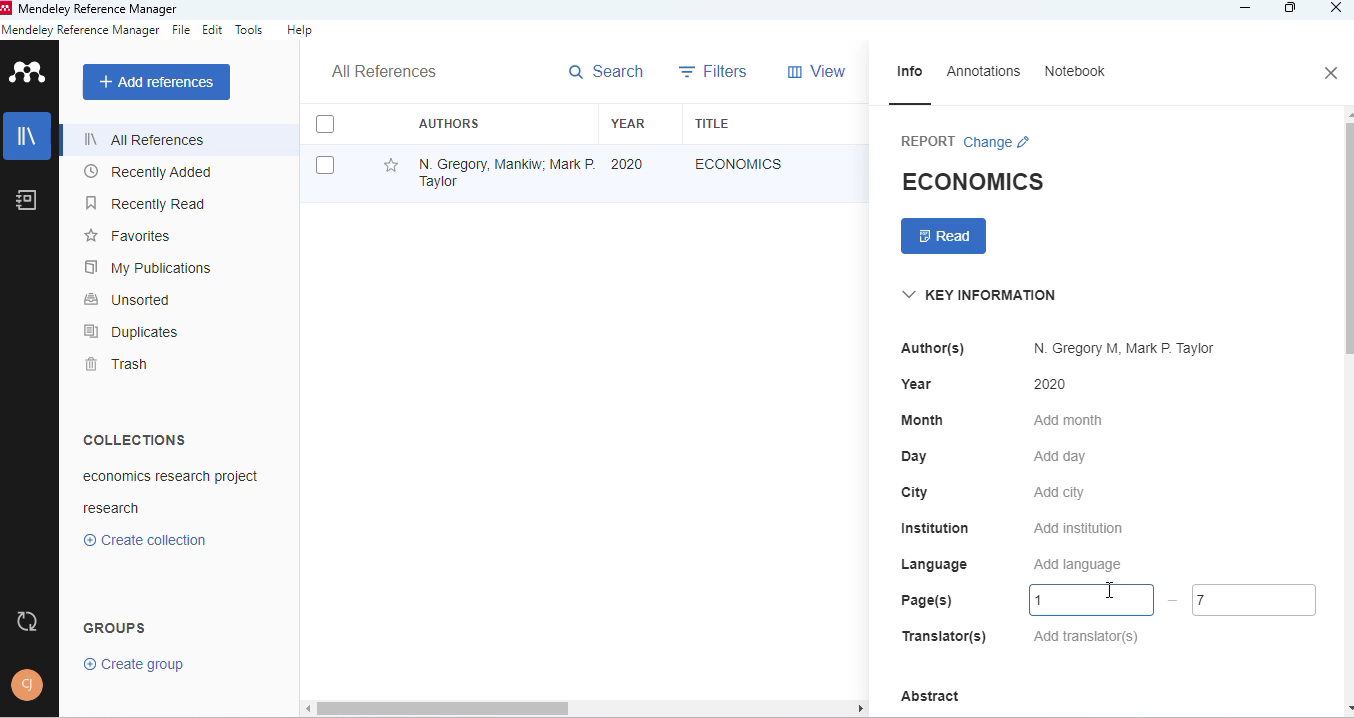 The height and width of the screenshot is (718, 1354). I want to click on view, so click(816, 71).